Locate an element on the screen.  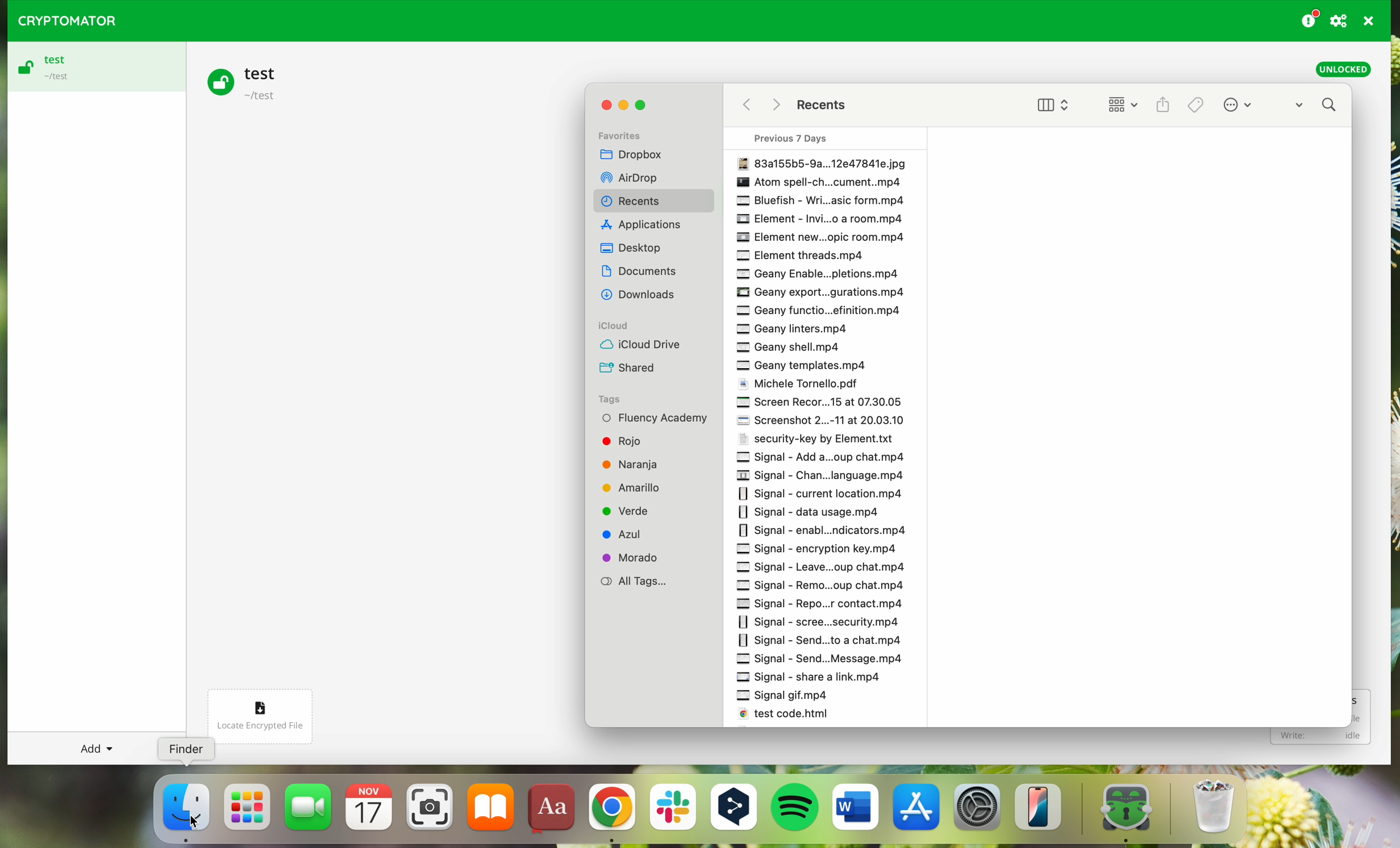
Microsoft Word is located at coordinates (856, 811).